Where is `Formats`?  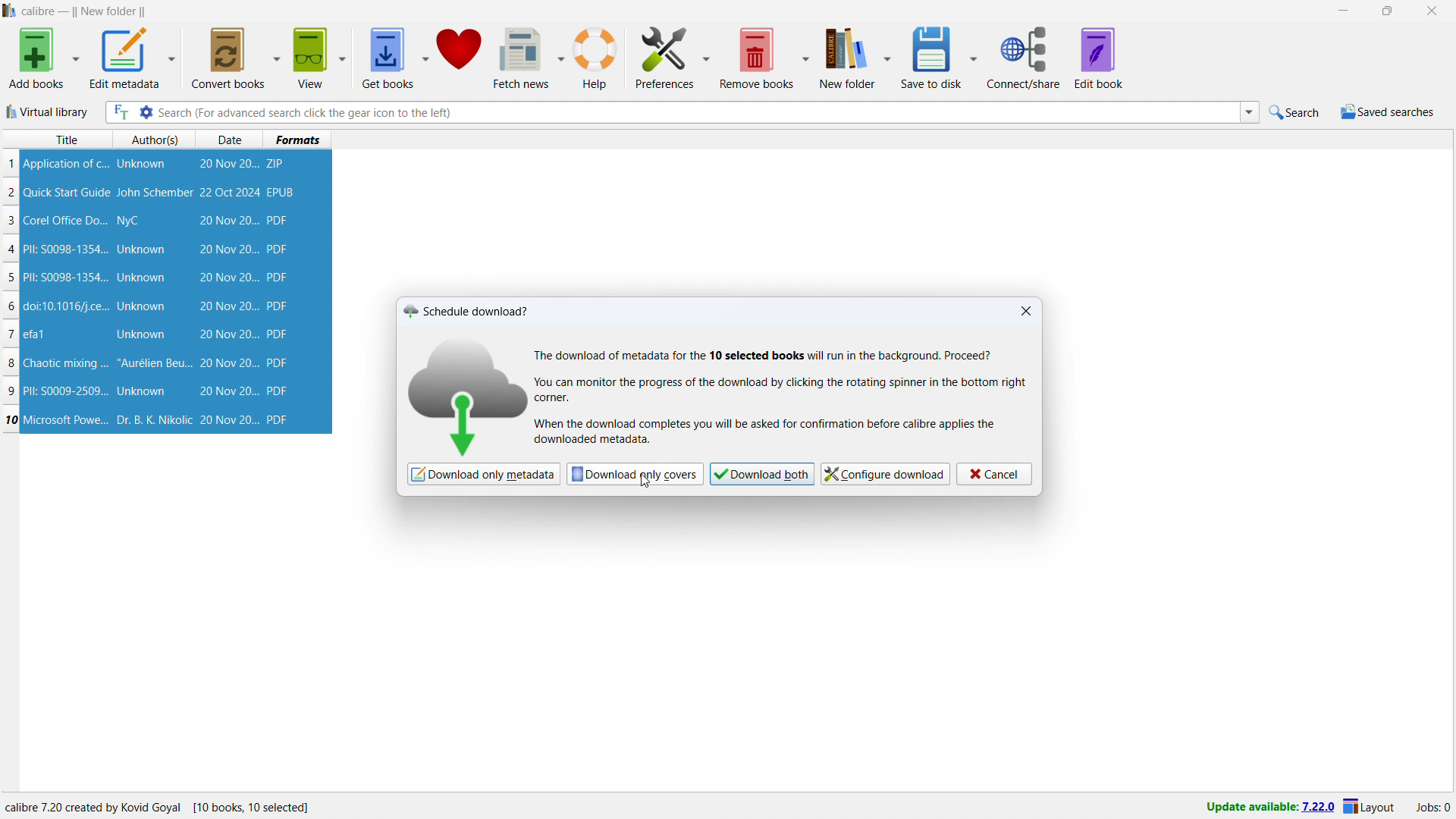 Formats is located at coordinates (298, 139).